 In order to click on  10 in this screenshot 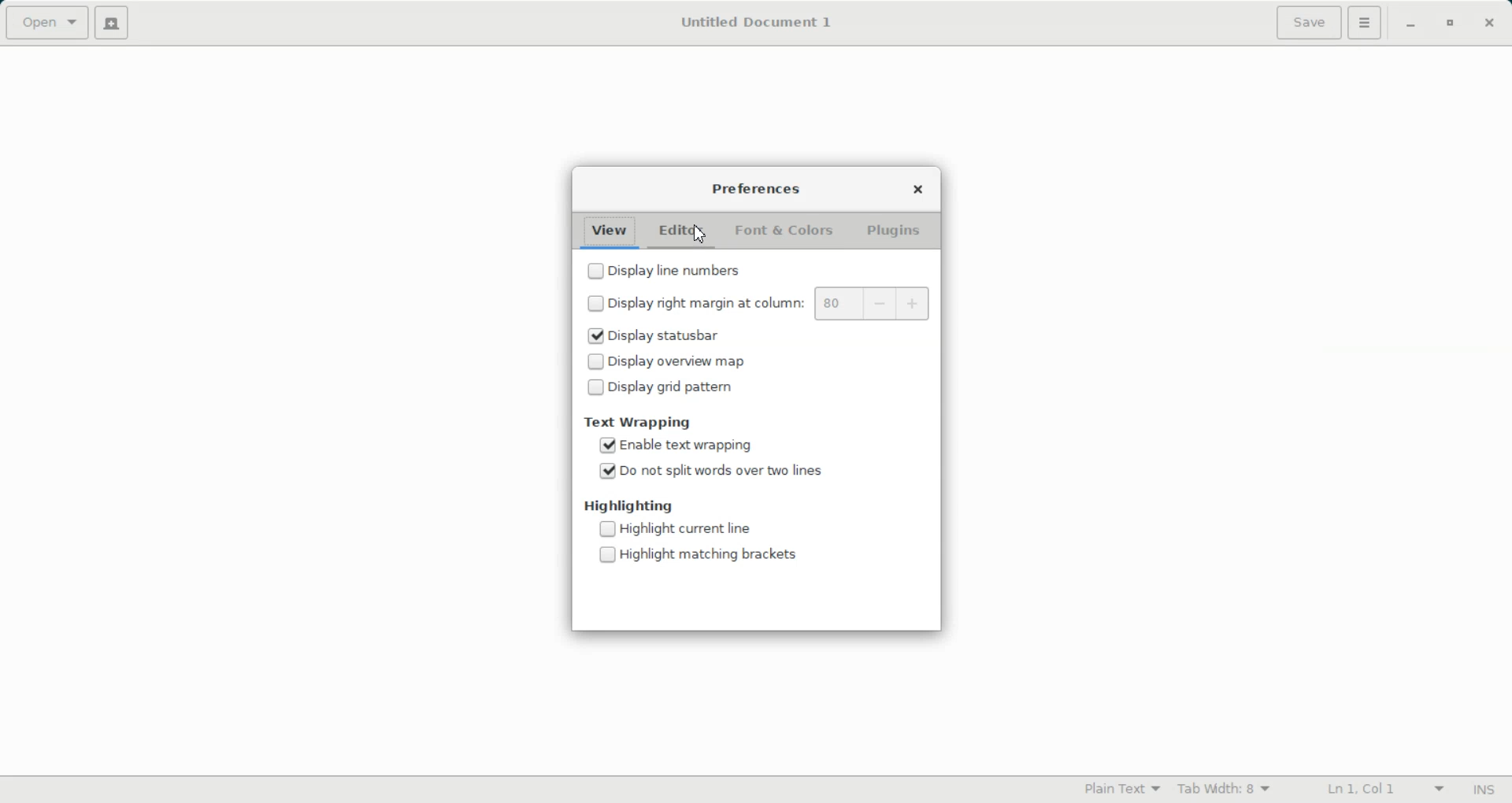, I will do `click(833, 302)`.